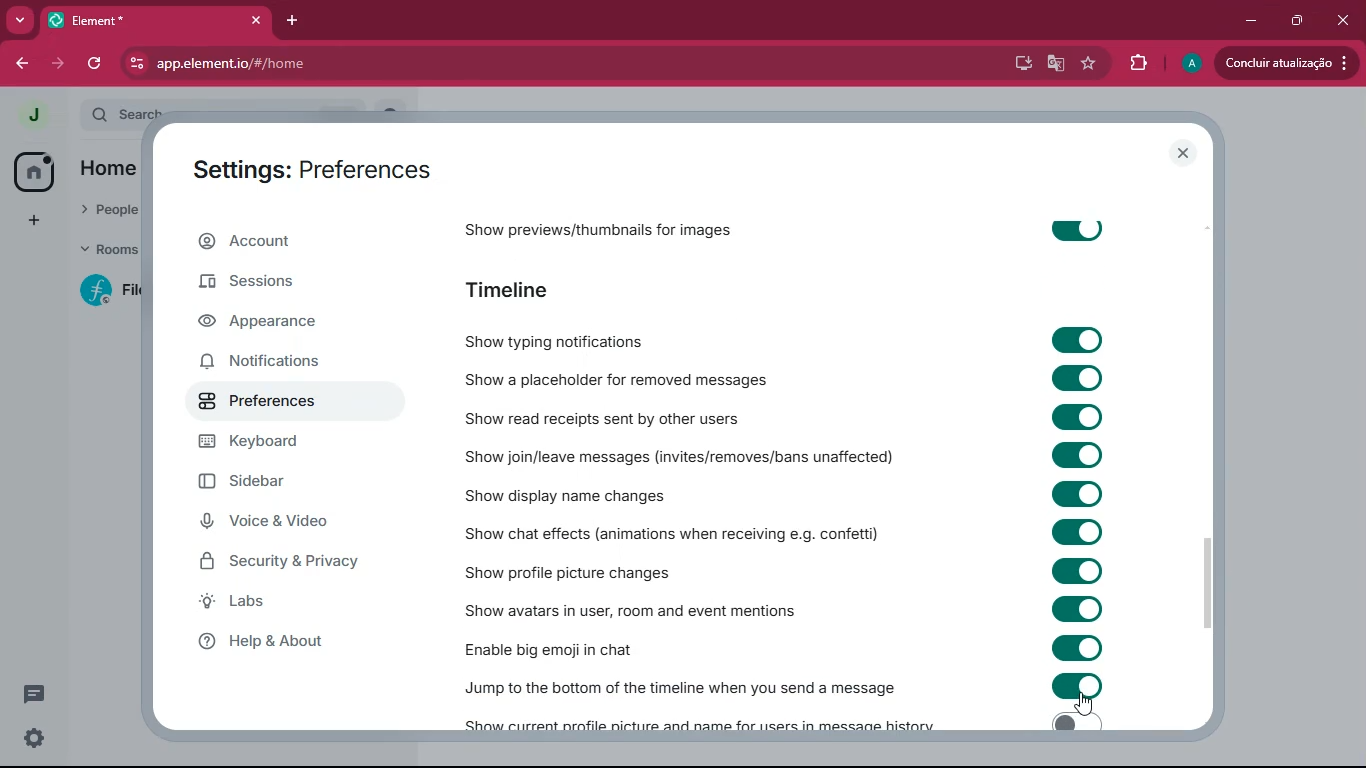 The image size is (1366, 768). What do you see at coordinates (67, 116) in the screenshot?
I see `expand` at bounding box center [67, 116].